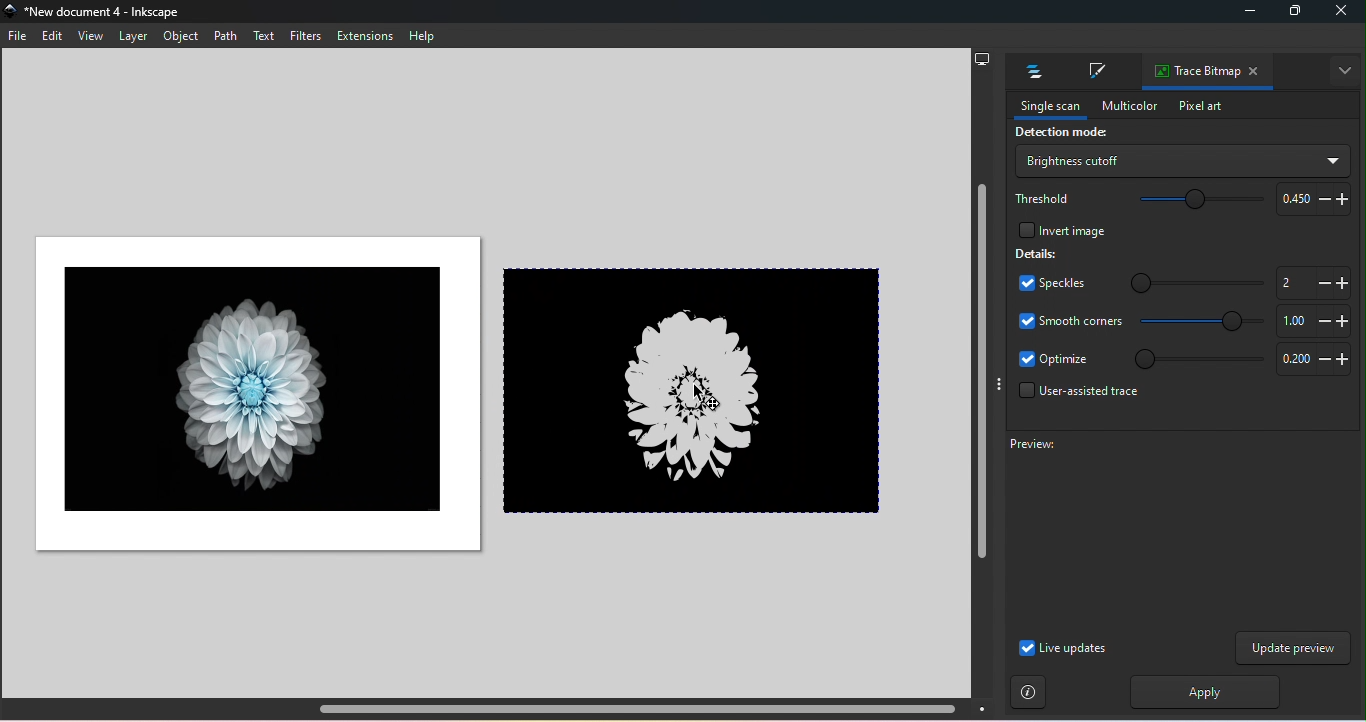 The height and width of the screenshot is (722, 1366). I want to click on Object, so click(183, 38).